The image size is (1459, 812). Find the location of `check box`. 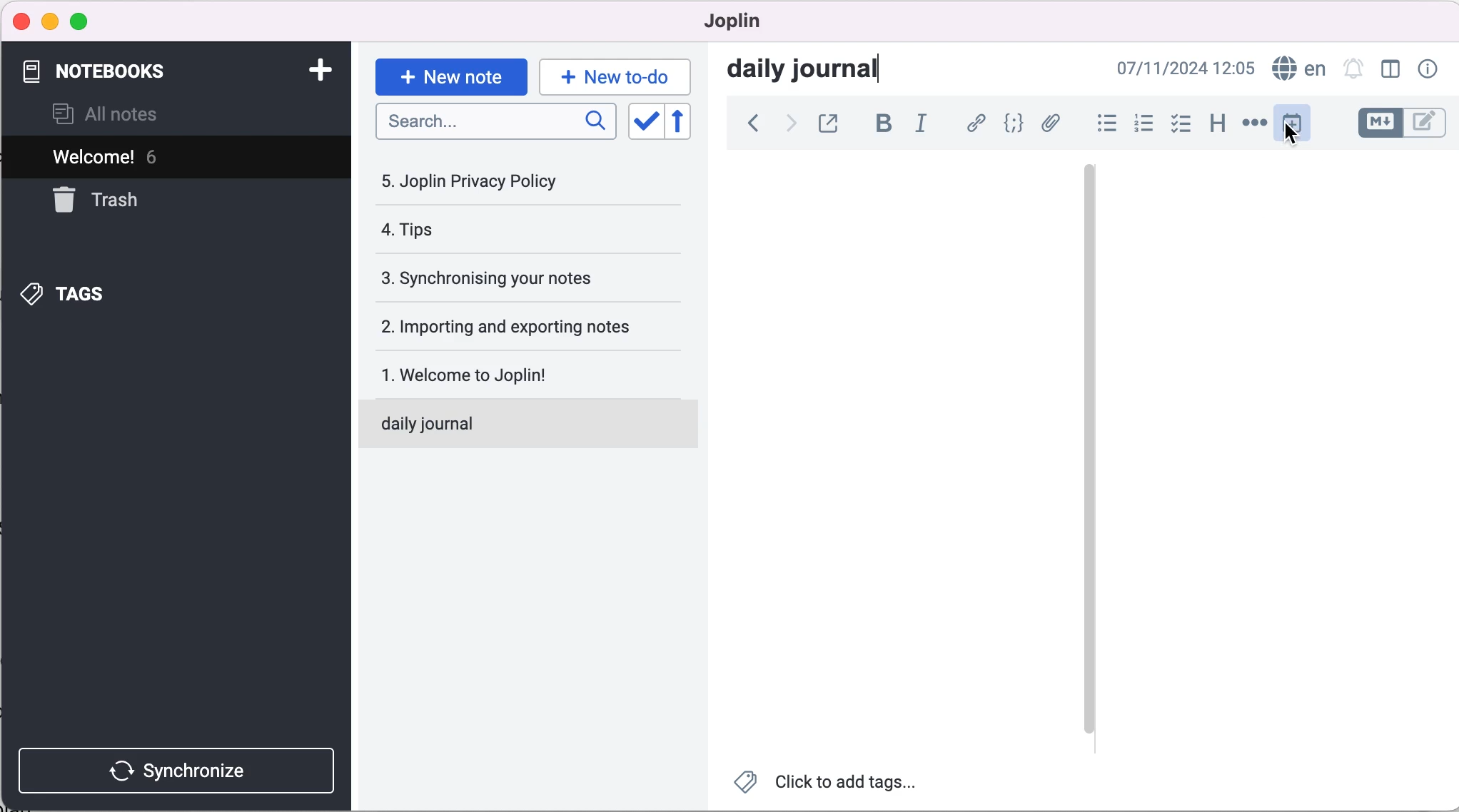

check box is located at coordinates (1176, 123).